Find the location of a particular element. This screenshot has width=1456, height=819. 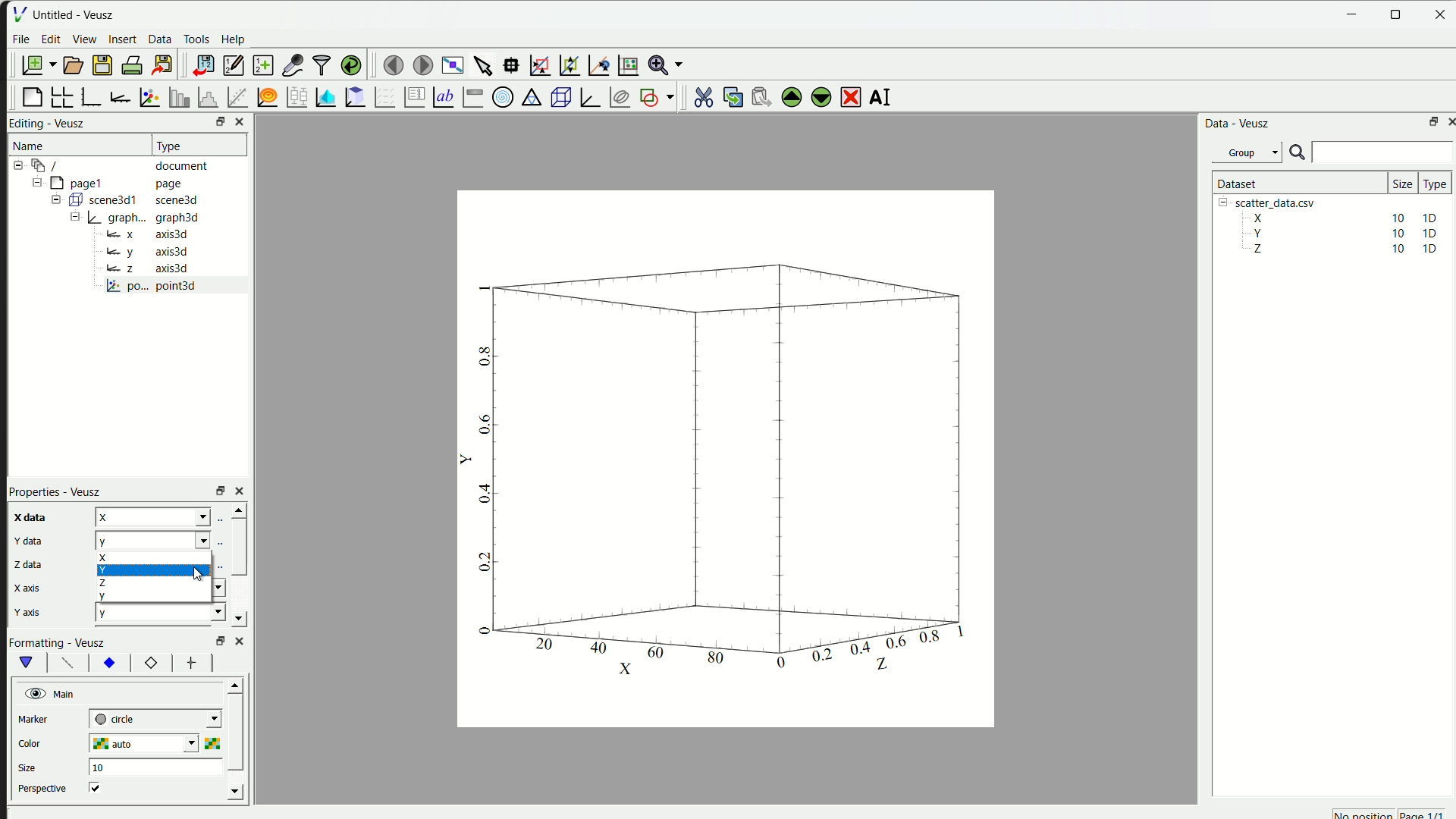

reload linked dataset is located at coordinates (352, 64).